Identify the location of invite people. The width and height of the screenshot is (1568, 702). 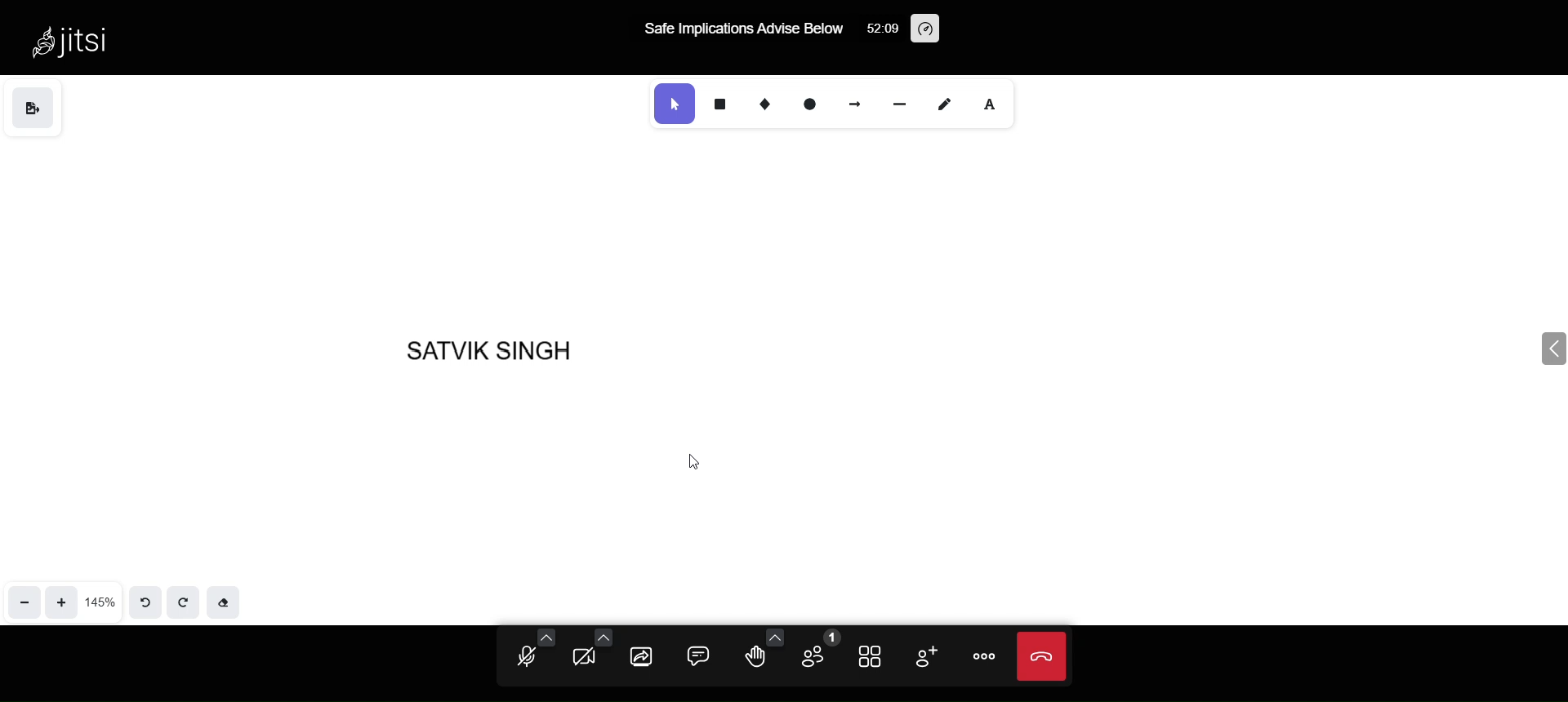
(923, 655).